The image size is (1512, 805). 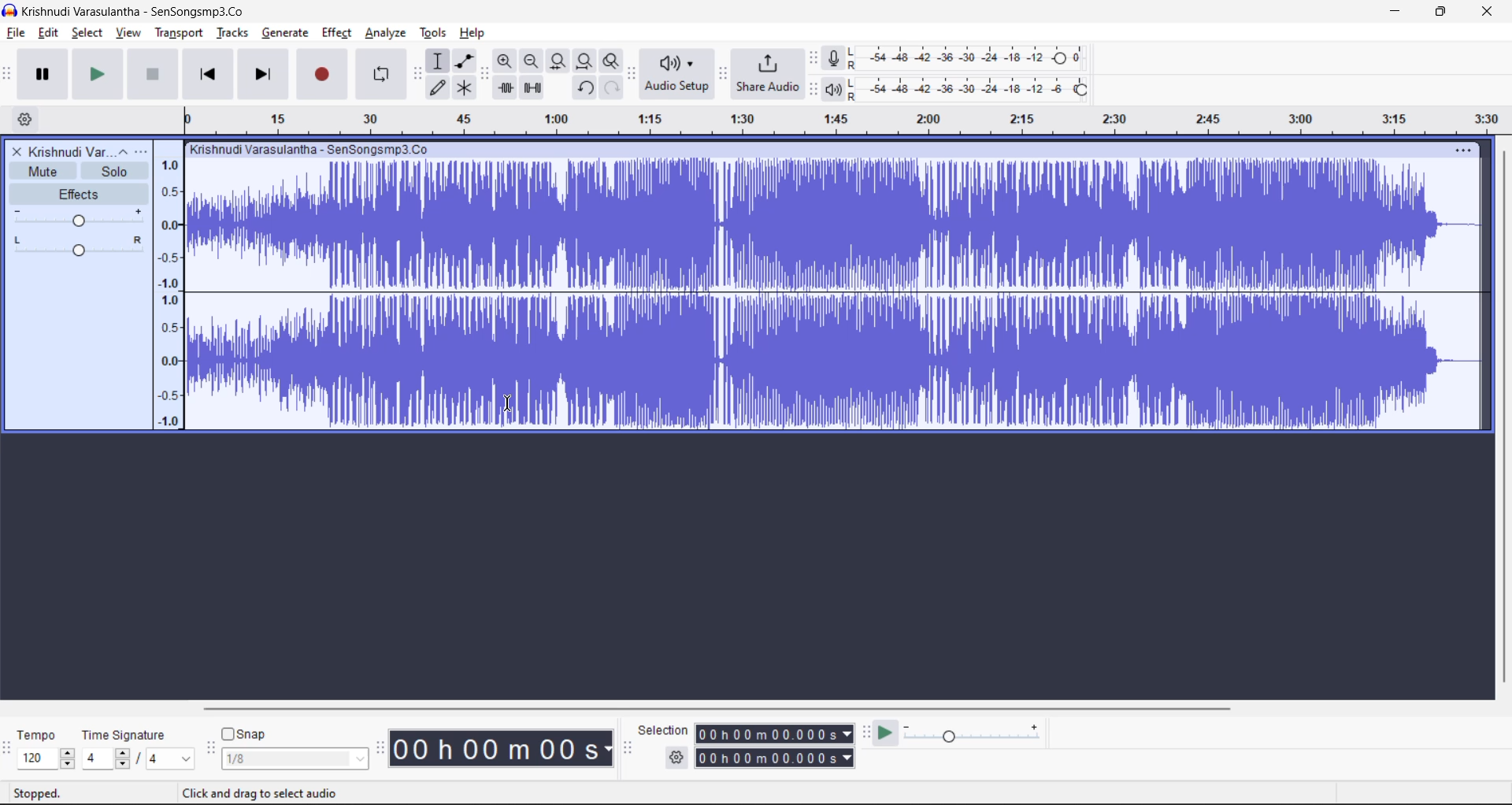 What do you see at coordinates (113, 171) in the screenshot?
I see `solo` at bounding box center [113, 171].